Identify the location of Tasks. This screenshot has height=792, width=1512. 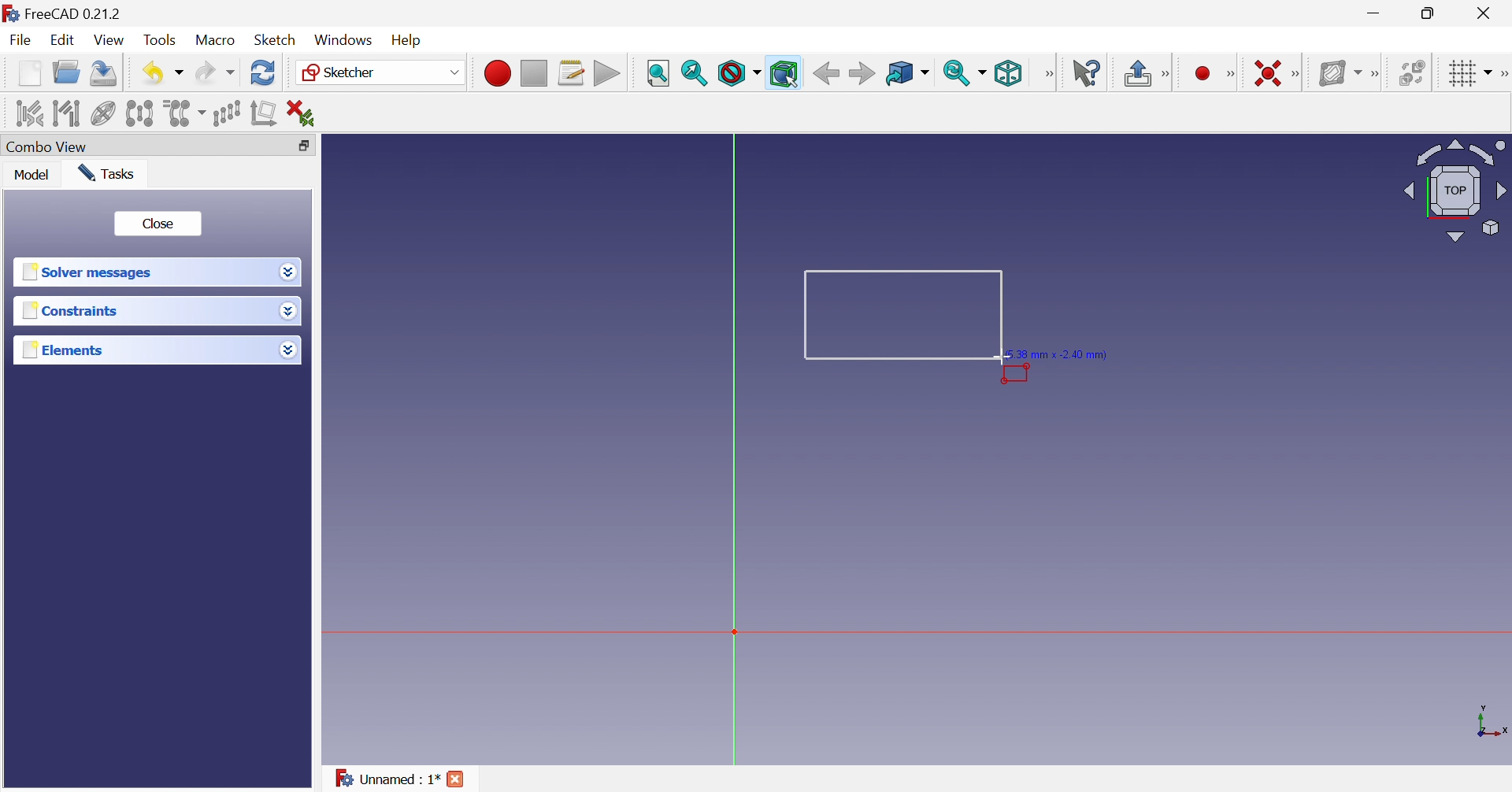
(106, 172).